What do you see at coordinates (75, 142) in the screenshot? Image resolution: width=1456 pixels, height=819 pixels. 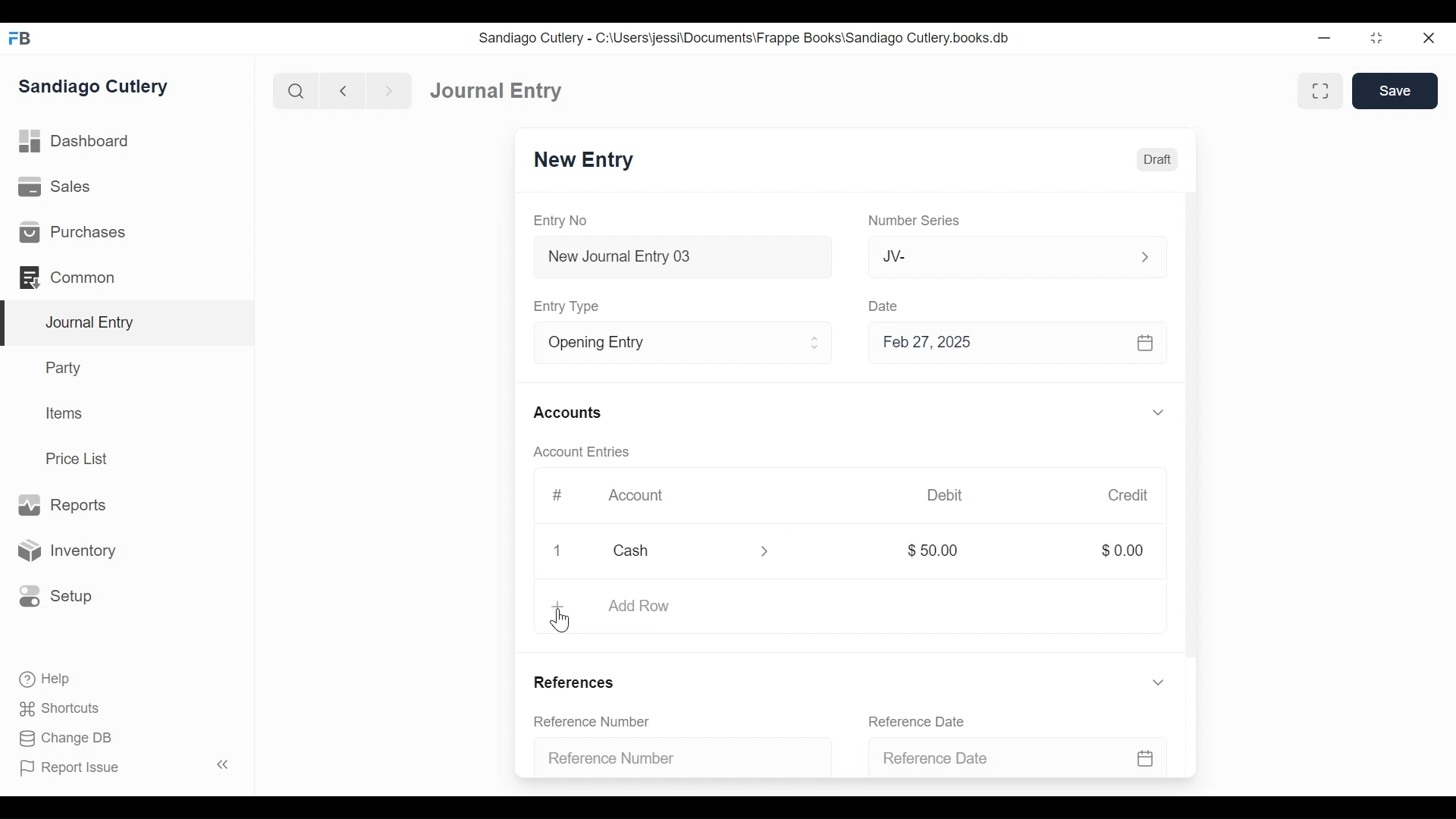 I see `Dashboard` at bounding box center [75, 142].